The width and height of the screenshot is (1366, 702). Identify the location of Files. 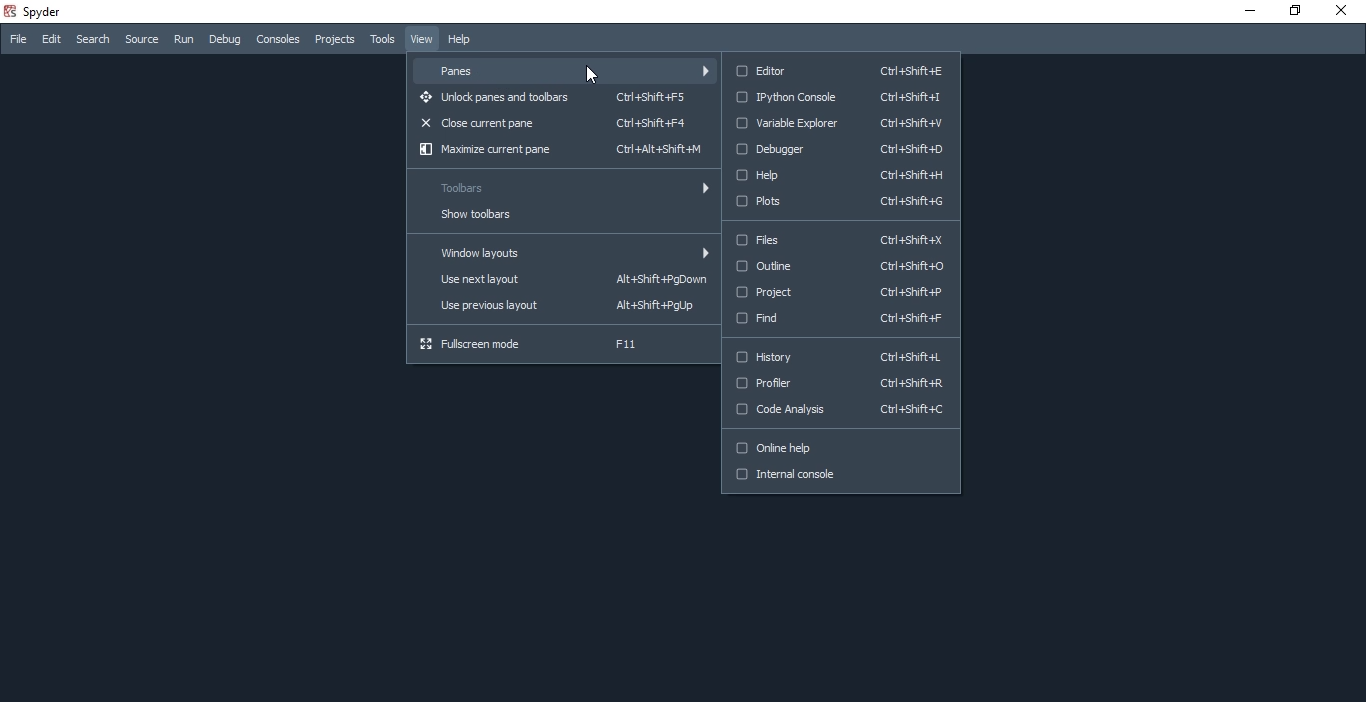
(842, 241).